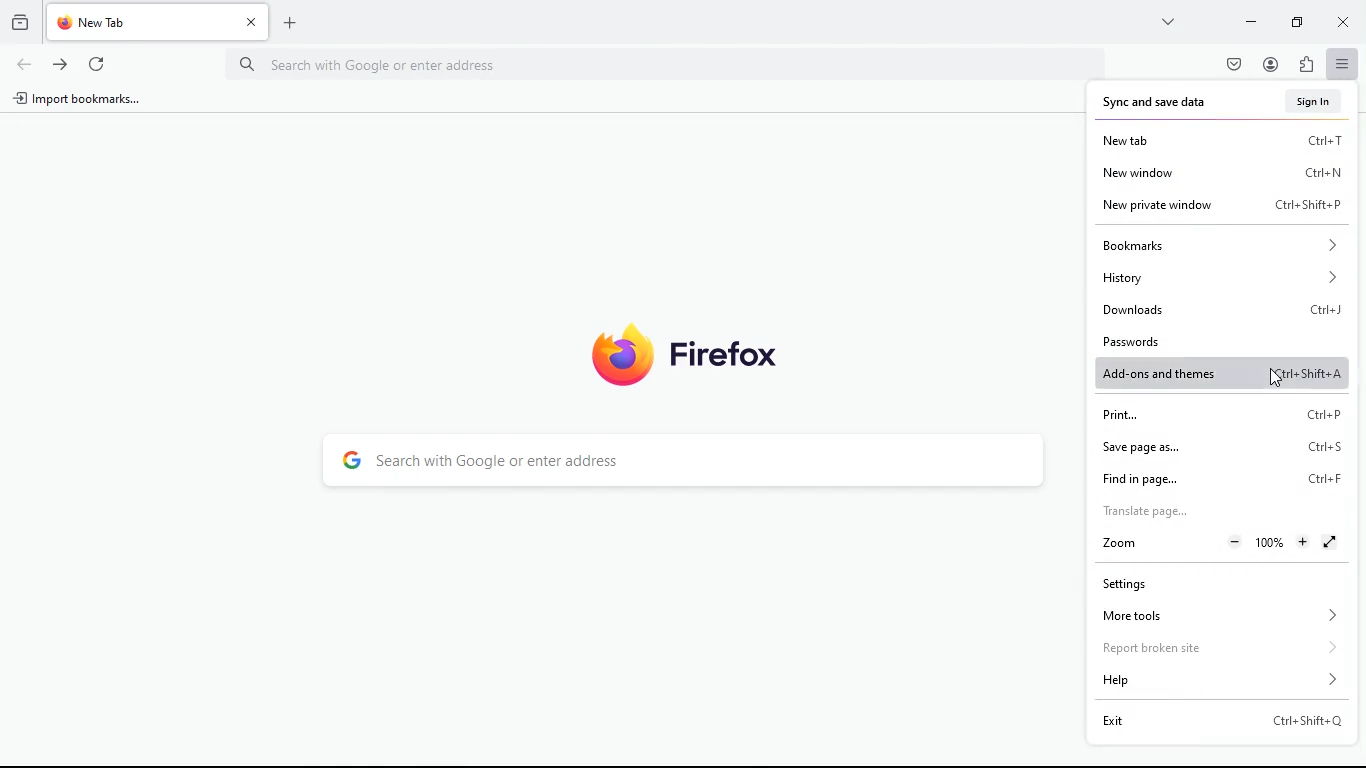 The height and width of the screenshot is (768, 1366). Describe the element at coordinates (1305, 65) in the screenshot. I see `instalations` at that location.